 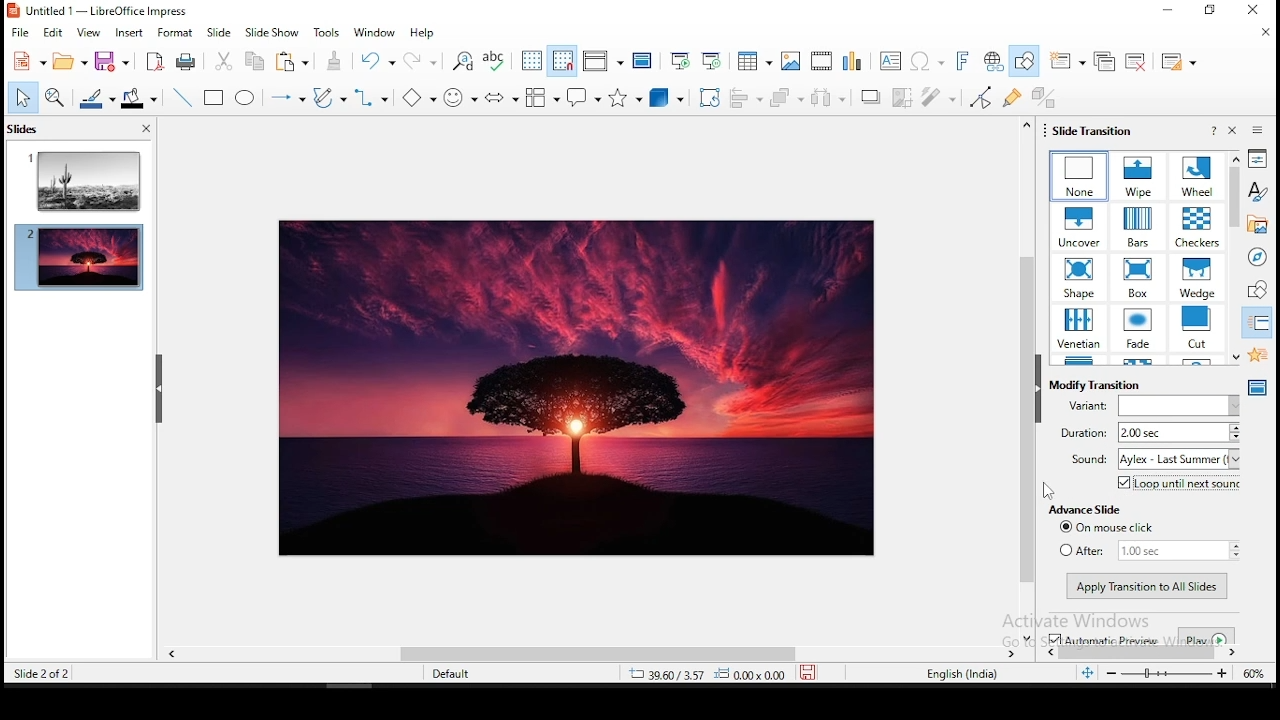 I want to click on transition effects, so click(x=1195, y=327).